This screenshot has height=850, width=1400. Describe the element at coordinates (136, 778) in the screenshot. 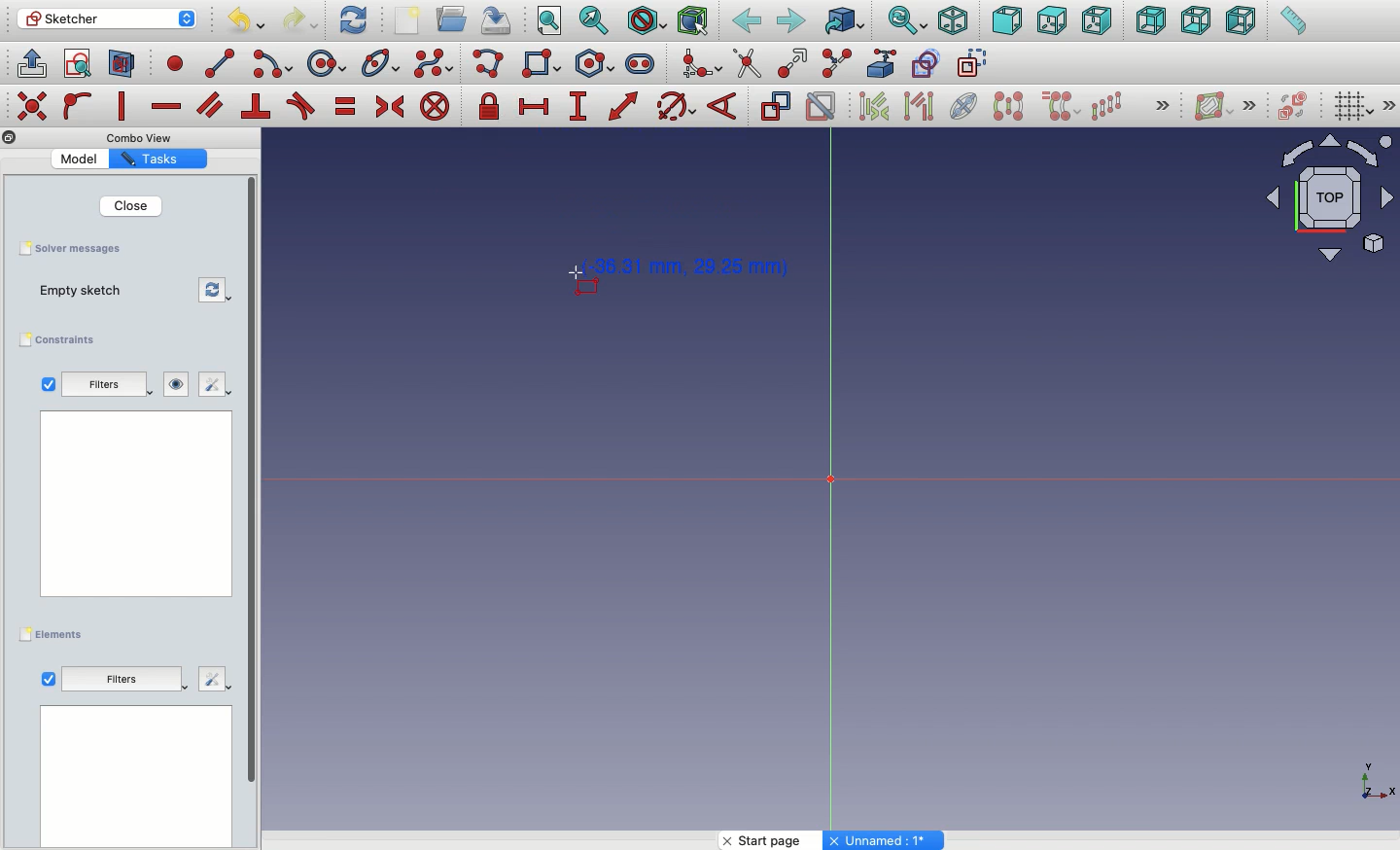

I see `workspace` at that location.